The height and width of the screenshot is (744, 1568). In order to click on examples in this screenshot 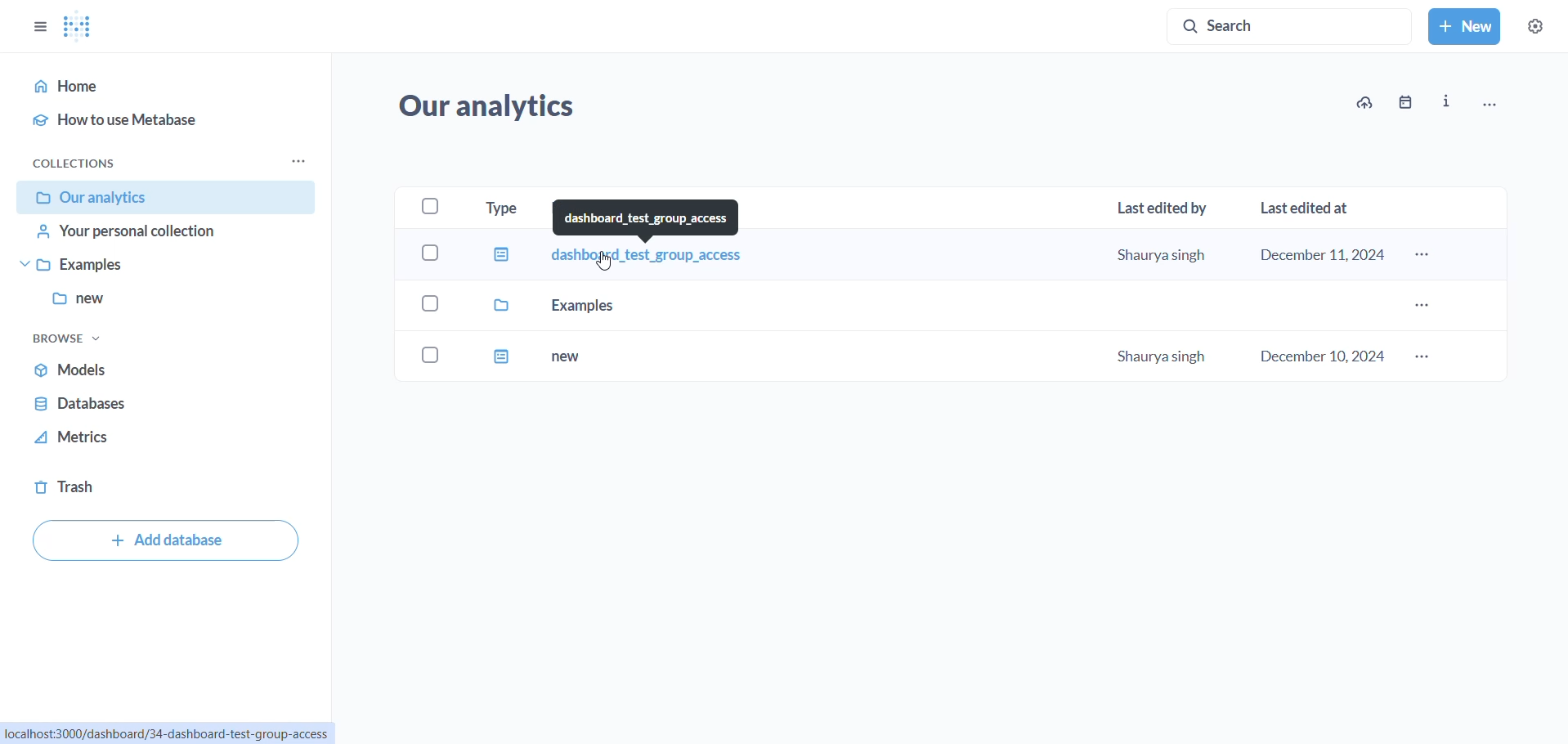, I will do `click(821, 304)`.